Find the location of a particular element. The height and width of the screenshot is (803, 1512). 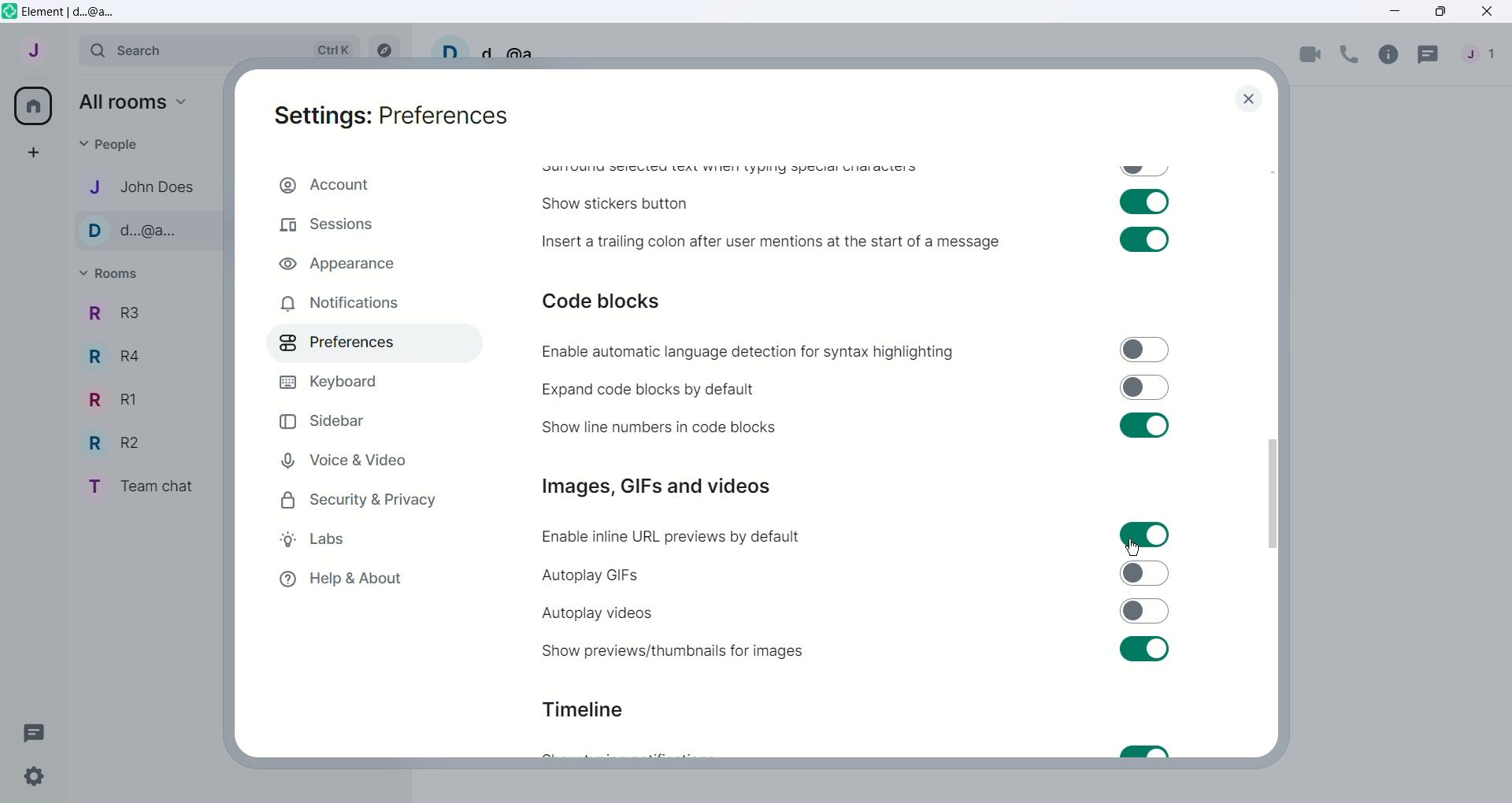

Vertical slide bar is located at coordinates (1273, 494).